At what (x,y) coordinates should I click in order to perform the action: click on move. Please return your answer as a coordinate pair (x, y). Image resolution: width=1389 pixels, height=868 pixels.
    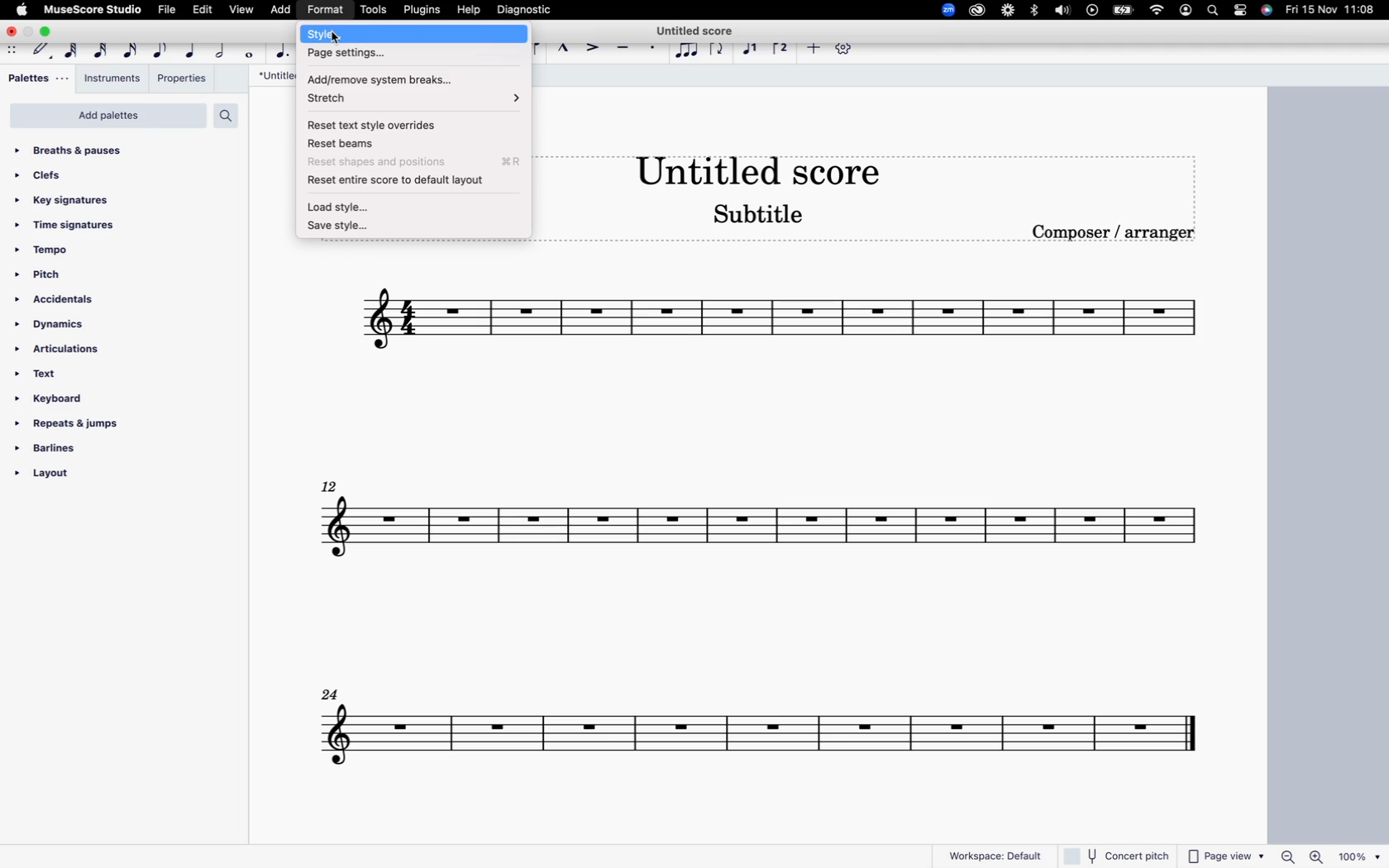
    Looking at the image, I should click on (12, 51).